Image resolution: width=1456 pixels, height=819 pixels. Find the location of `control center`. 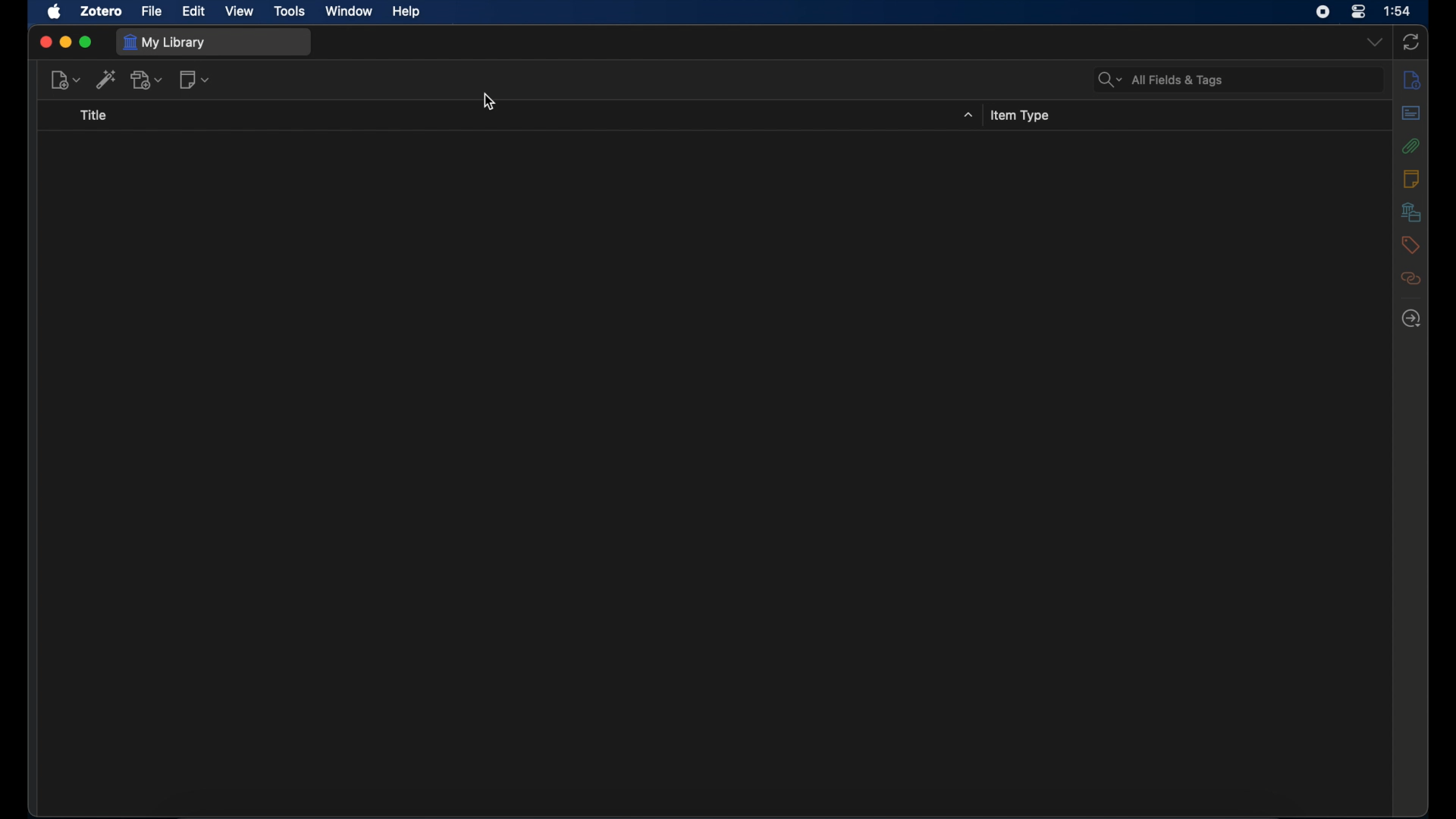

control center is located at coordinates (1357, 11).